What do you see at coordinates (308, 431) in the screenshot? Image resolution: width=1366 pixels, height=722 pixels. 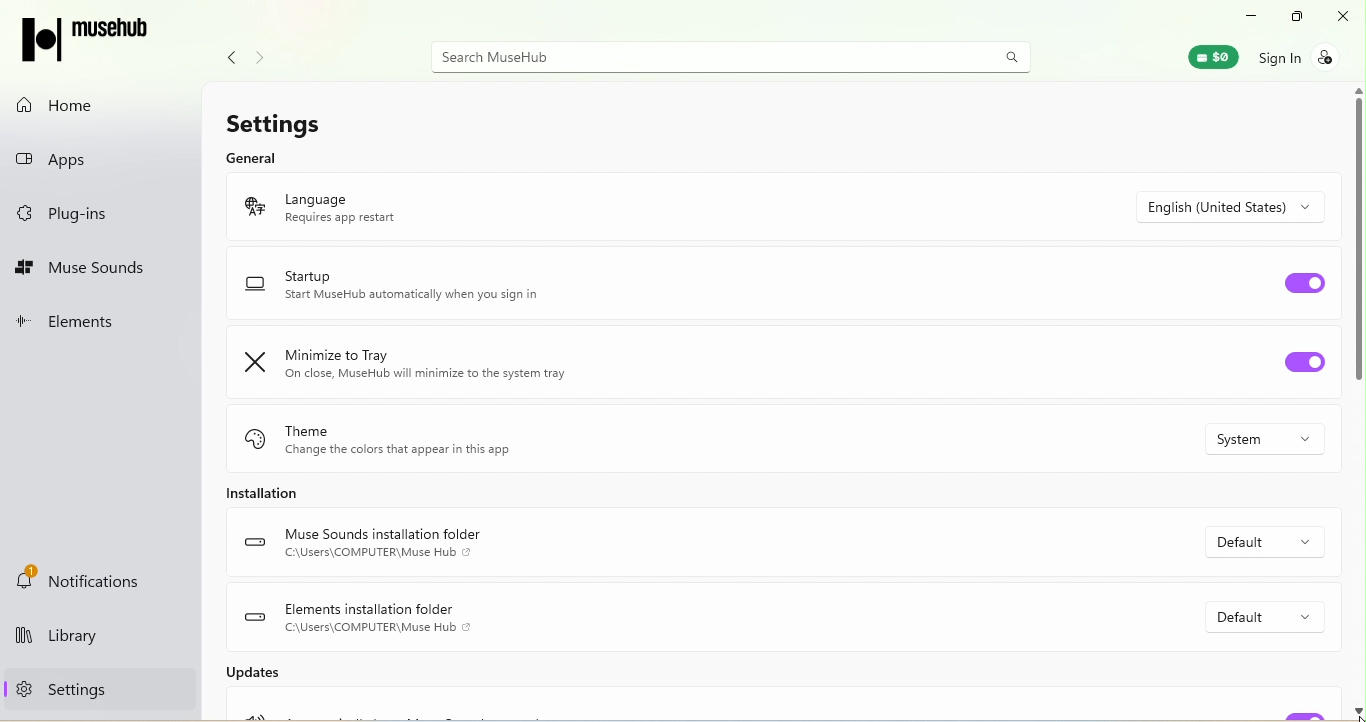 I see `Theme` at bounding box center [308, 431].